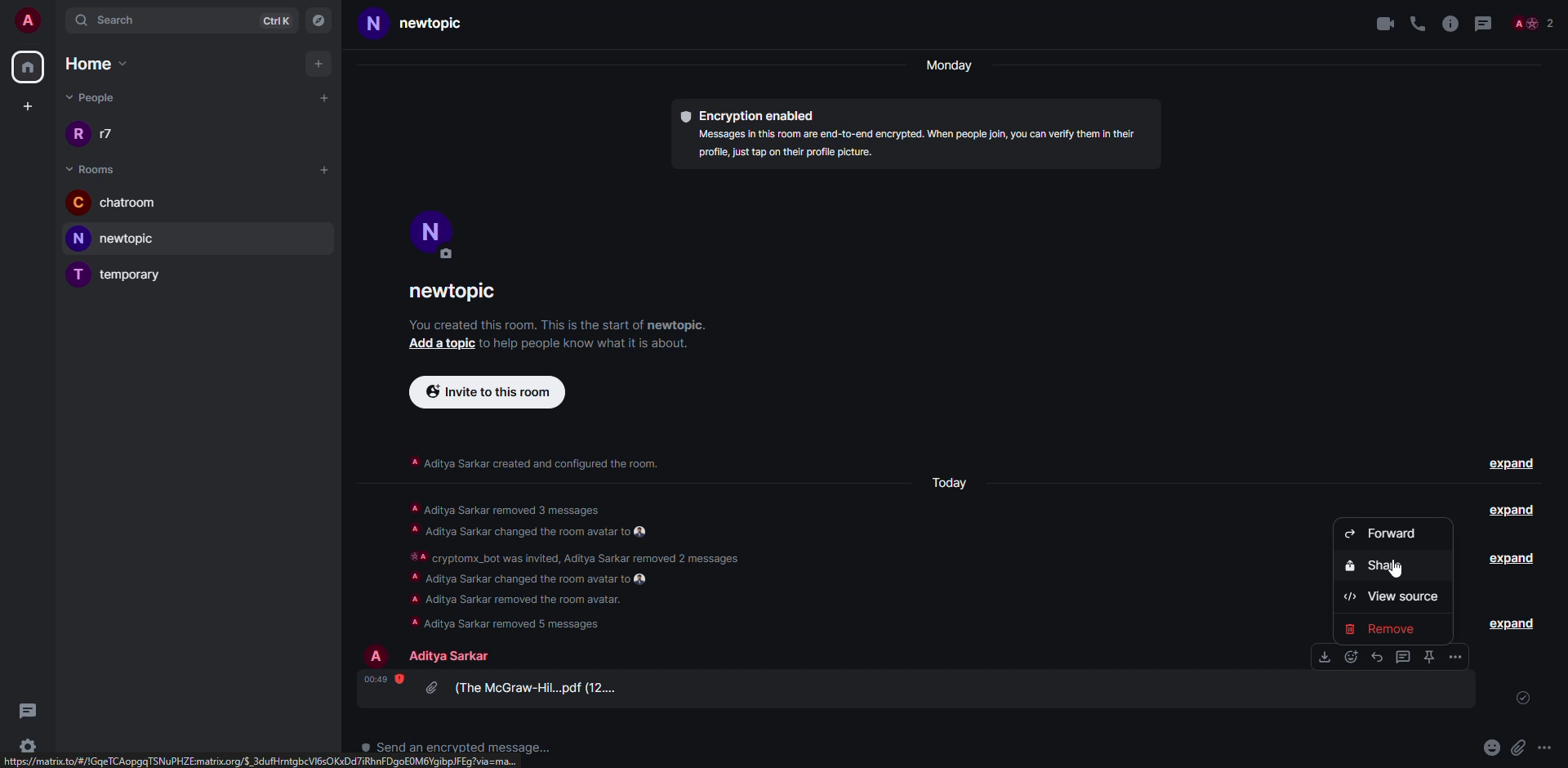  What do you see at coordinates (1525, 699) in the screenshot?
I see `sent` at bounding box center [1525, 699].